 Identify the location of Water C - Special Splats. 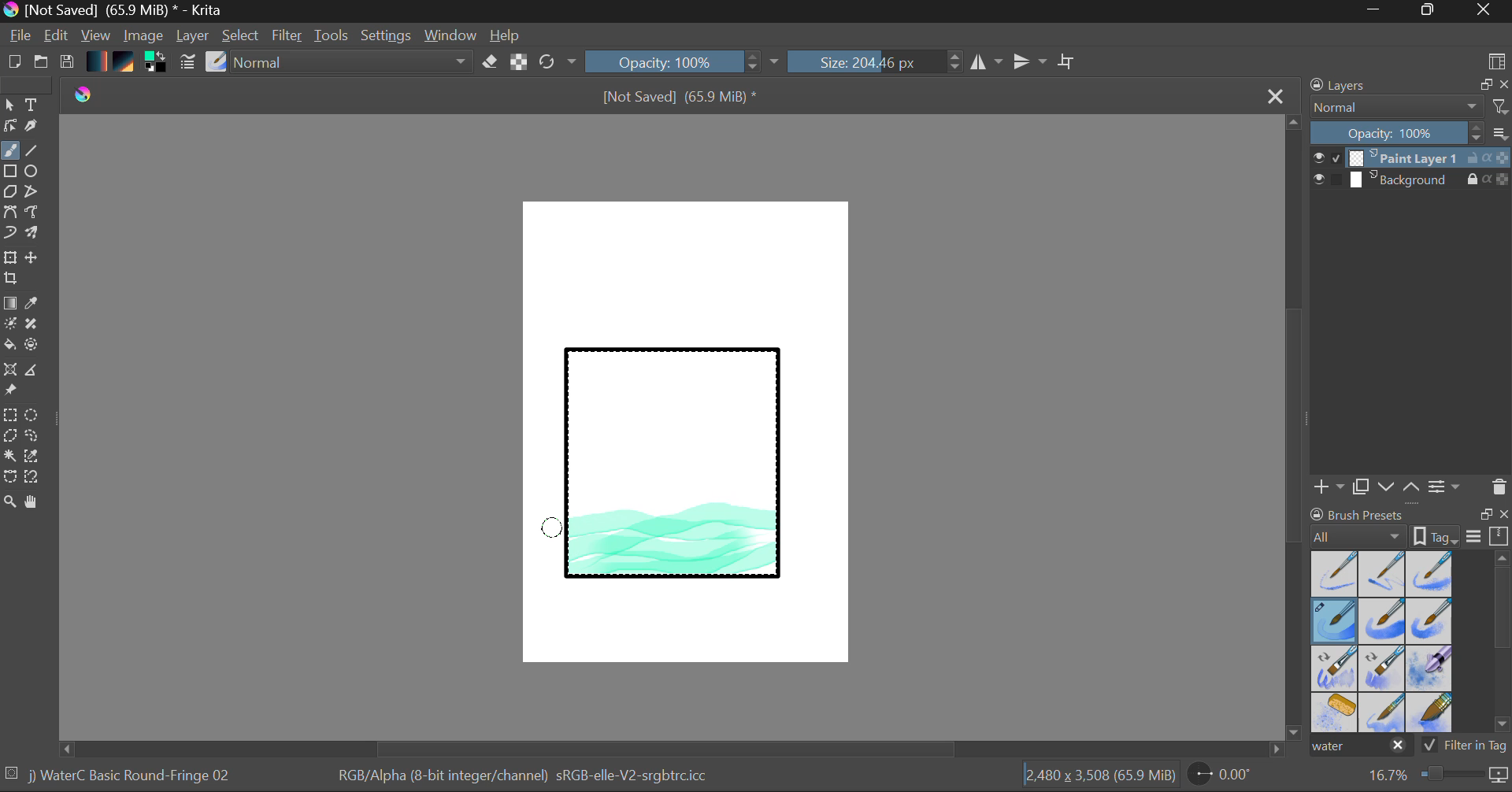
(1336, 712).